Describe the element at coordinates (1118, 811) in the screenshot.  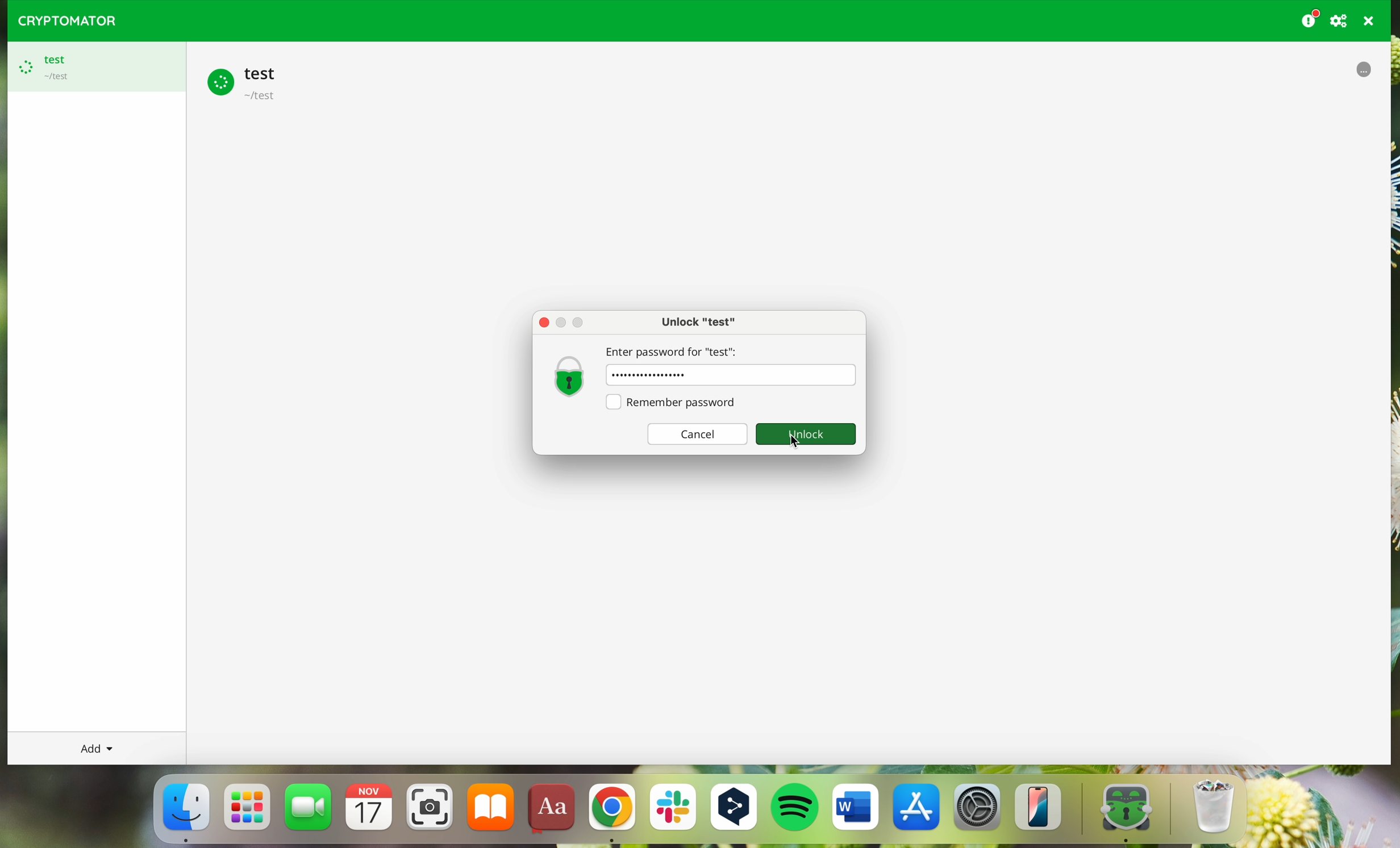
I see `cryptomator app` at that location.